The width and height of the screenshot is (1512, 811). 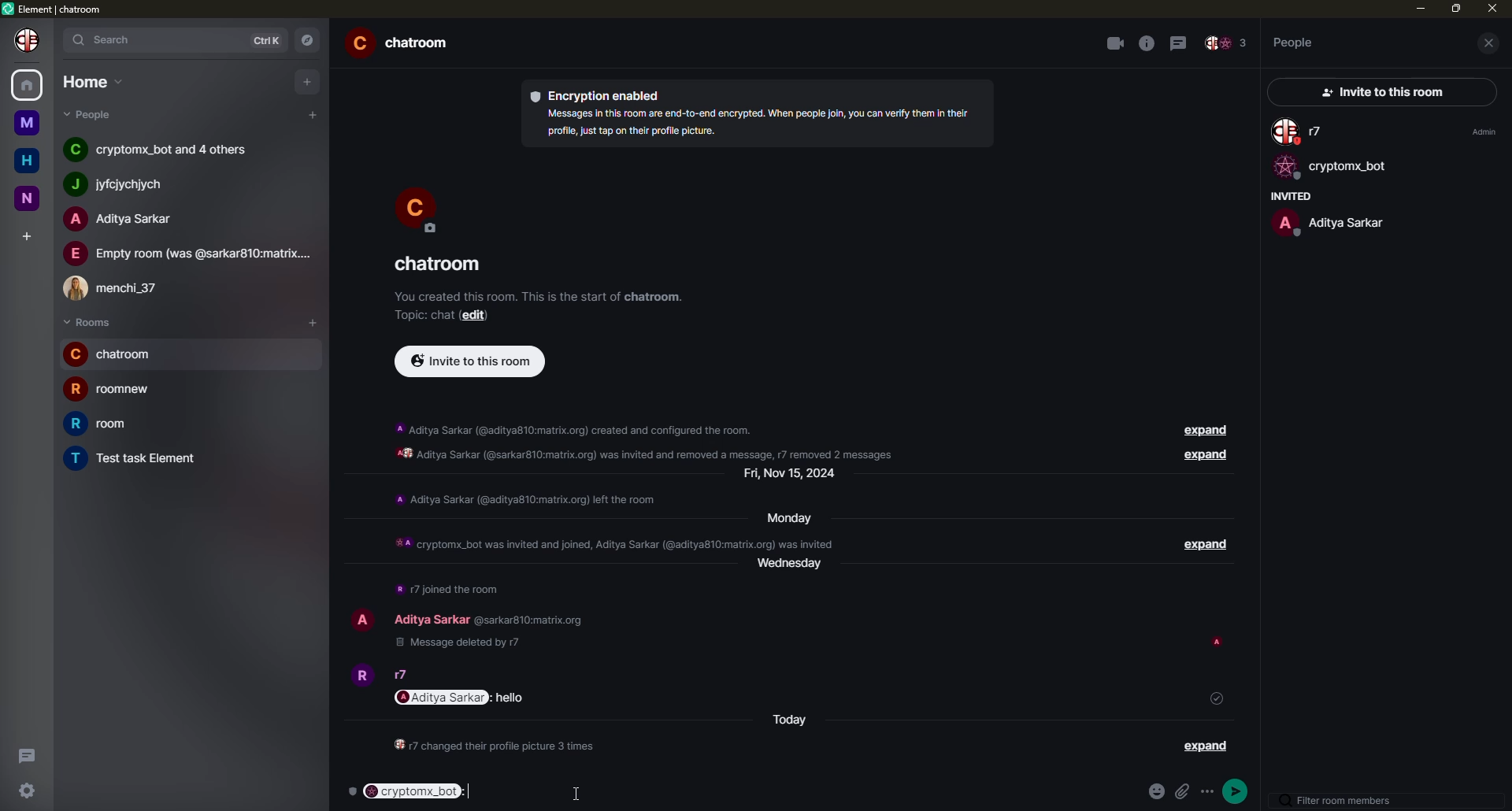 I want to click on home, so click(x=29, y=161).